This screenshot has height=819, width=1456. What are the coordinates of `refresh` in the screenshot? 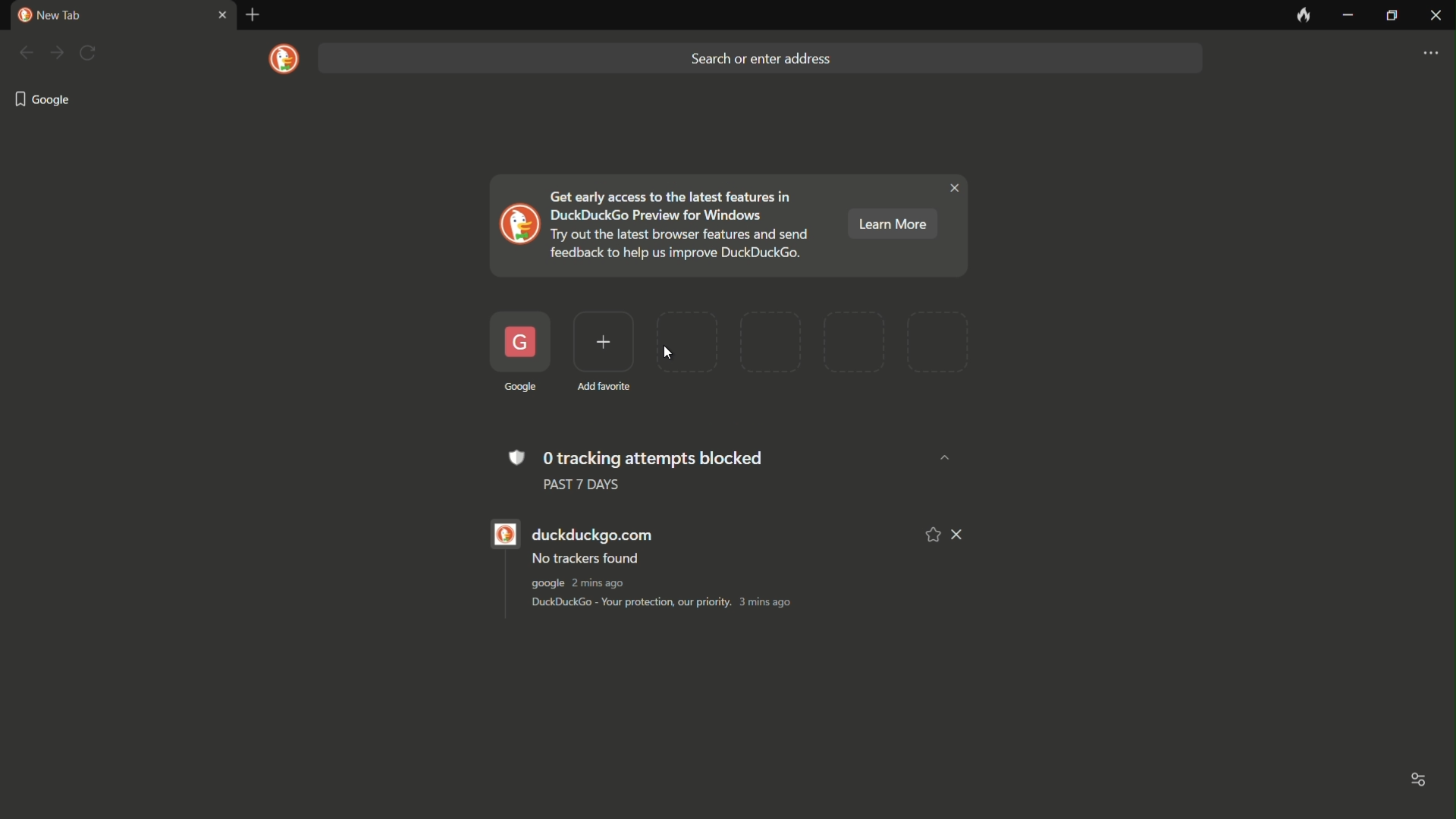 It's located at (88, 53).